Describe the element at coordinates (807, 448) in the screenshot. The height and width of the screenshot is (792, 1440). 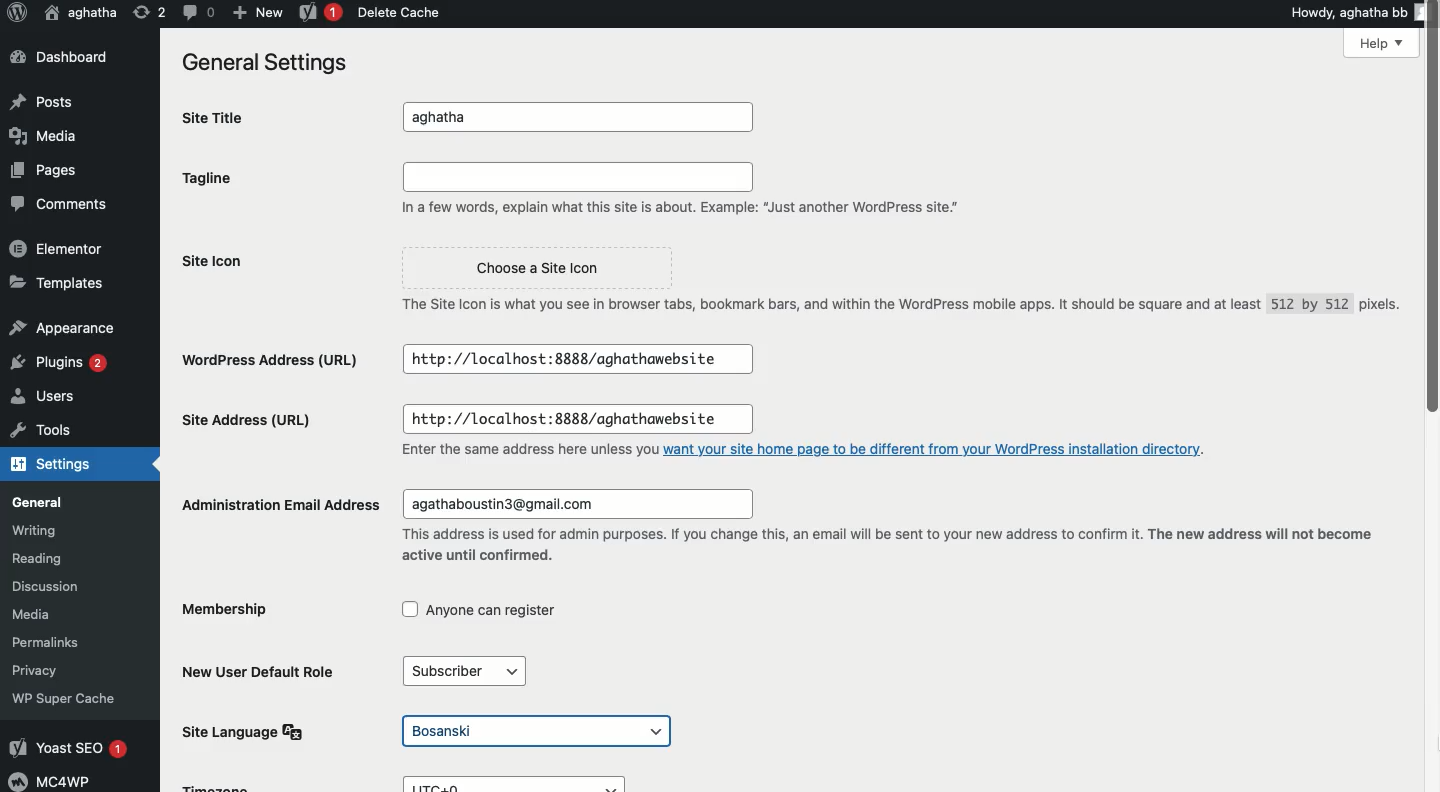
I see `Enter the same address here unless you want your site home page to be different from your WordPress installation directory.` at that location.